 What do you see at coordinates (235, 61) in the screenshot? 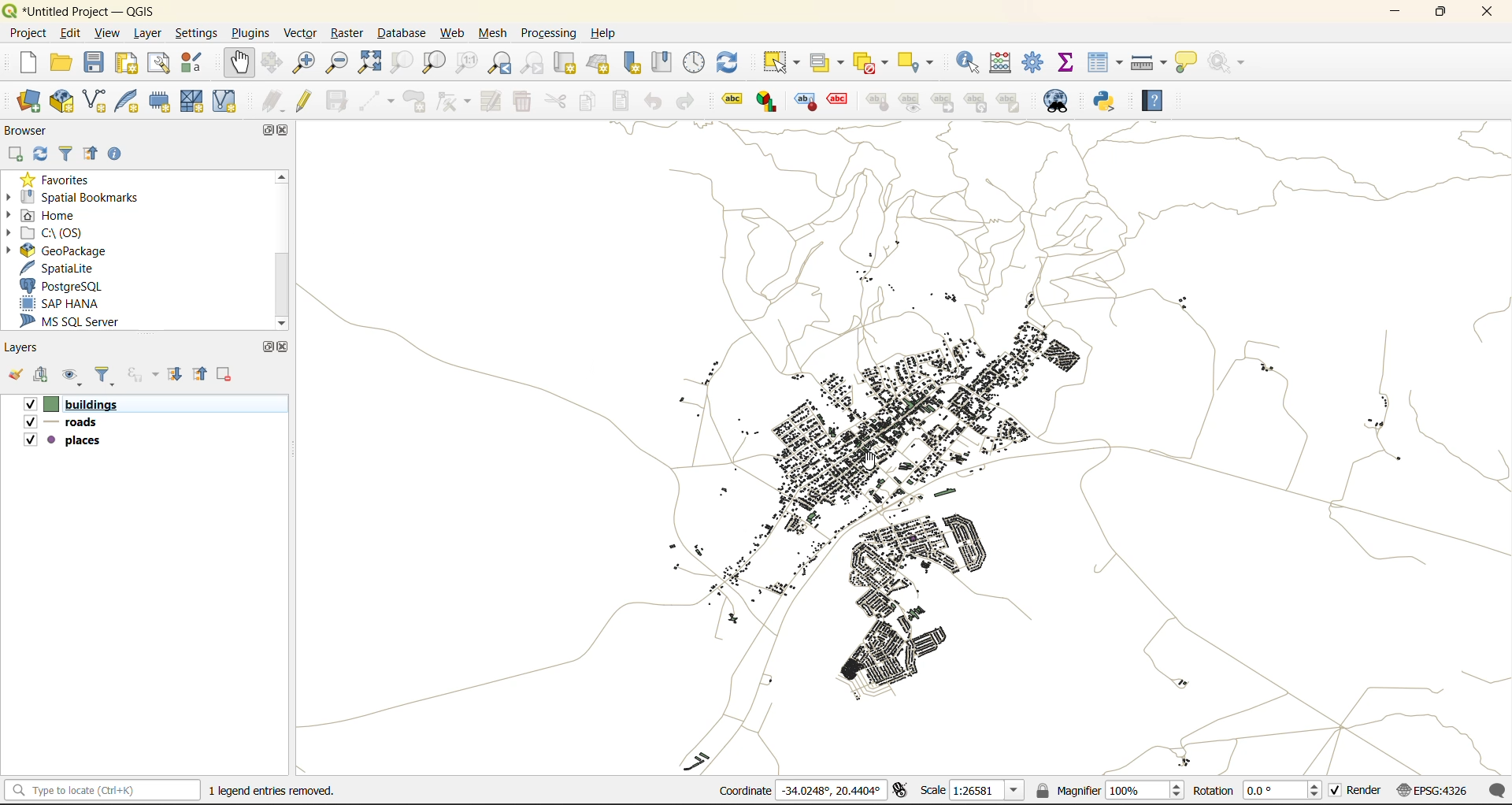
I see `pan map` at bounding box center [235, 61].